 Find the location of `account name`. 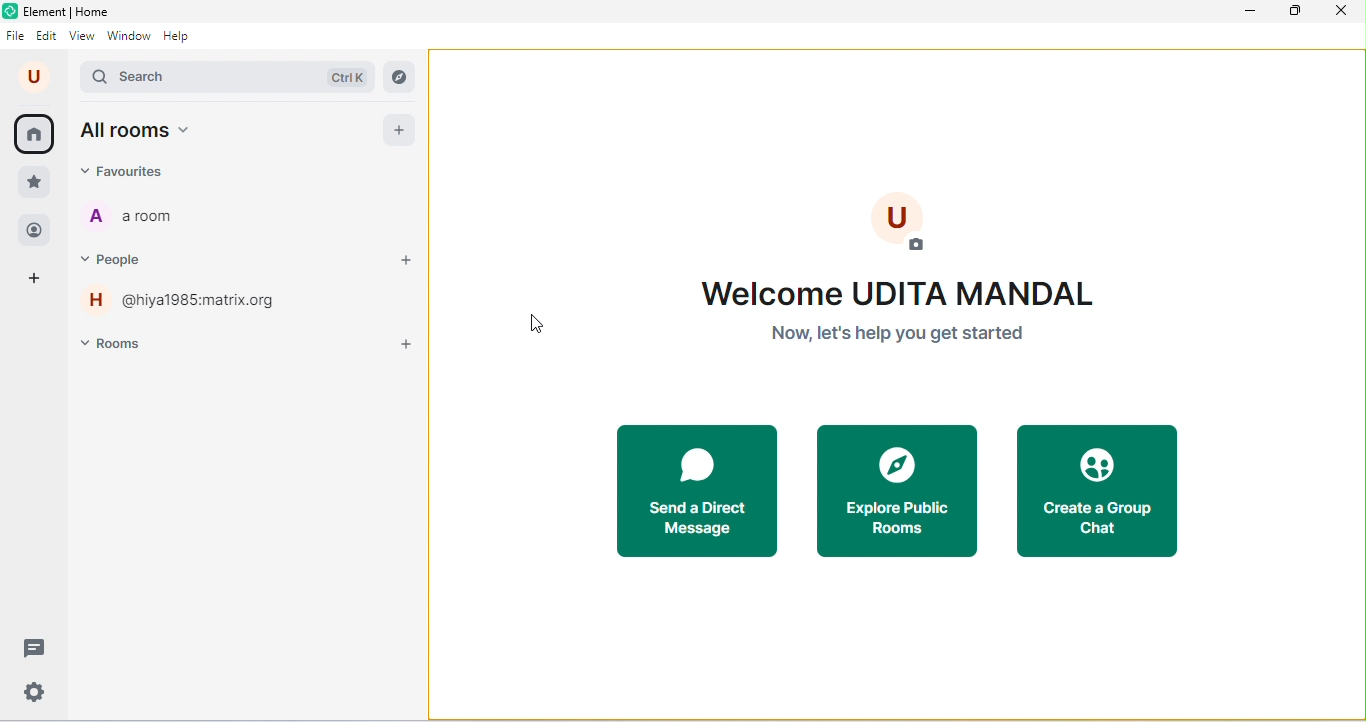

account name is located at coordinates (35, 76).